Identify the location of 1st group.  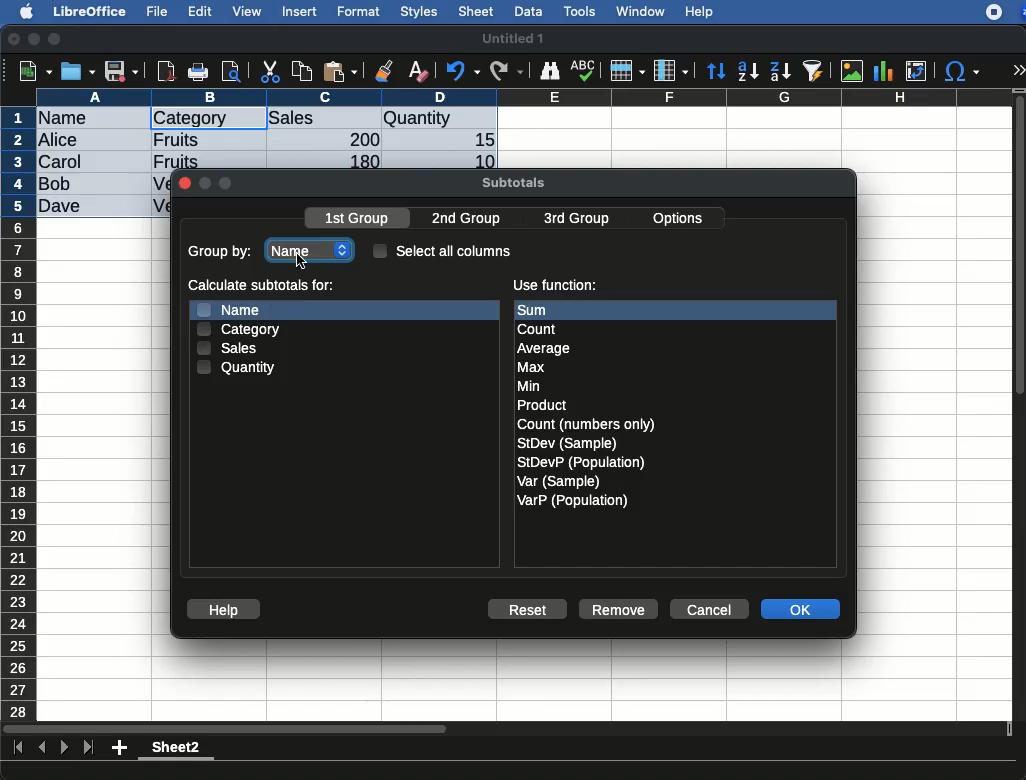
(359, 220).